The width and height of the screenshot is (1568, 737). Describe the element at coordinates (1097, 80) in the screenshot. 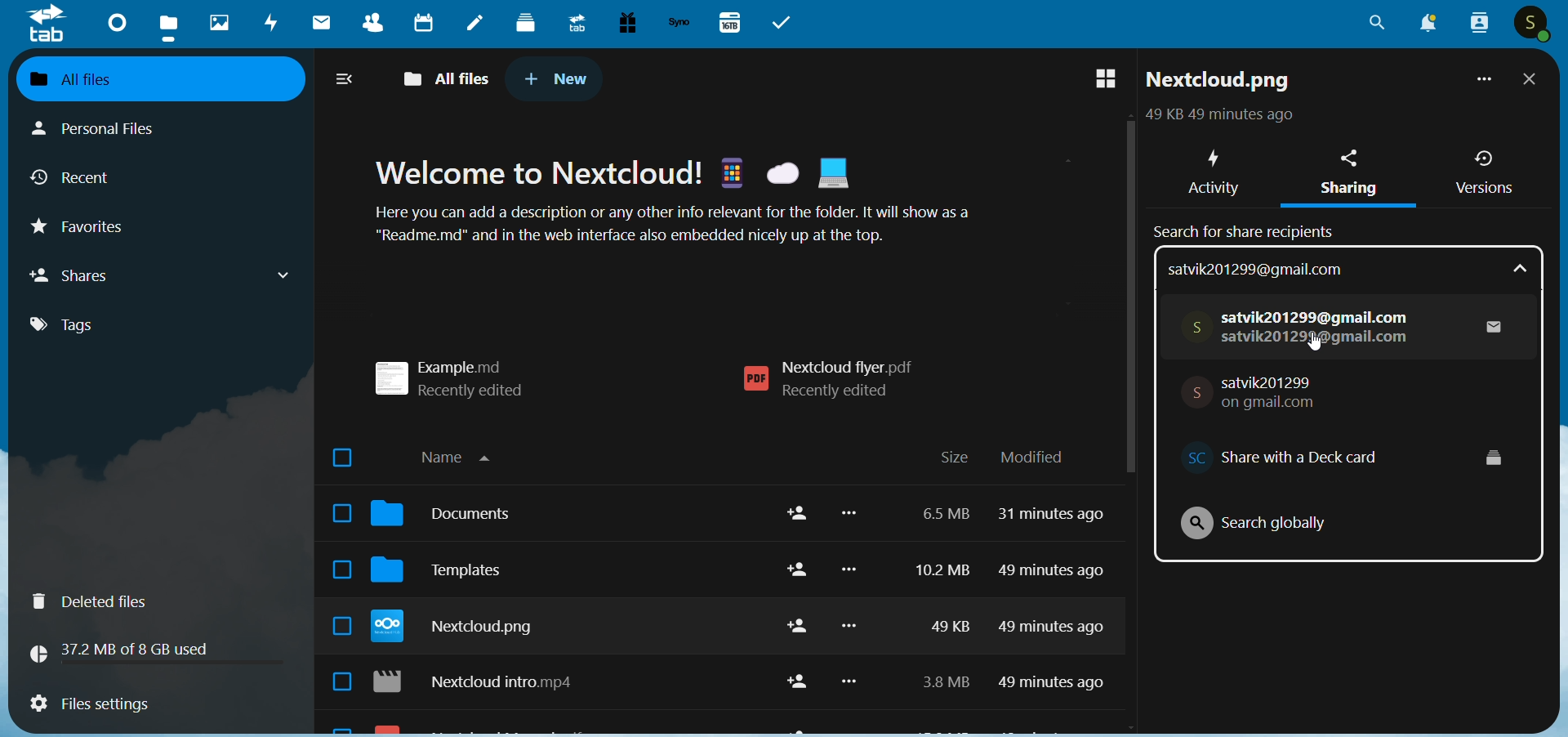

I see `view` at that location.